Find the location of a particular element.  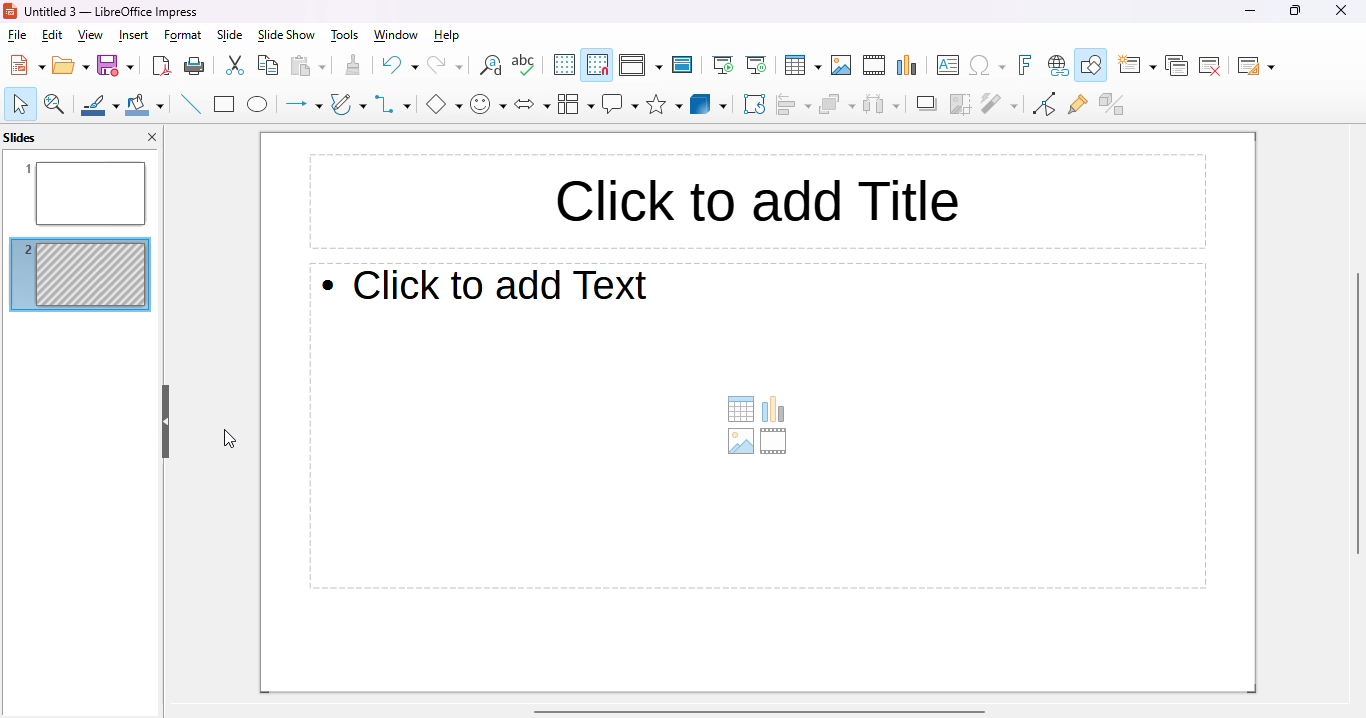

select at least three objects to distribute is located at coordinates (882, 103).